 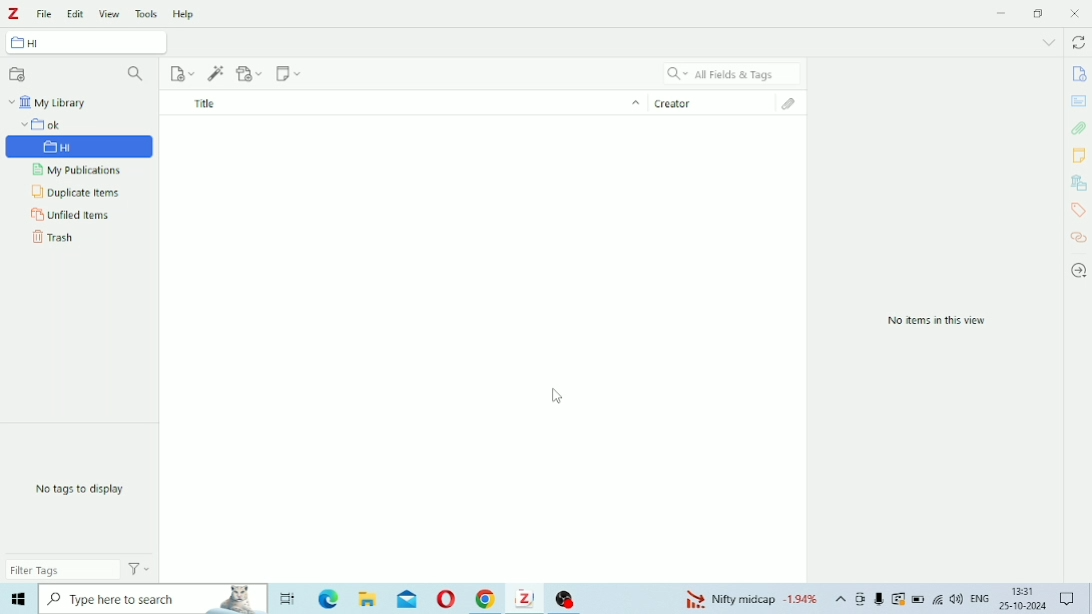 I want to click on Add Item (s) by Identifier, so click(x=217, y=74).